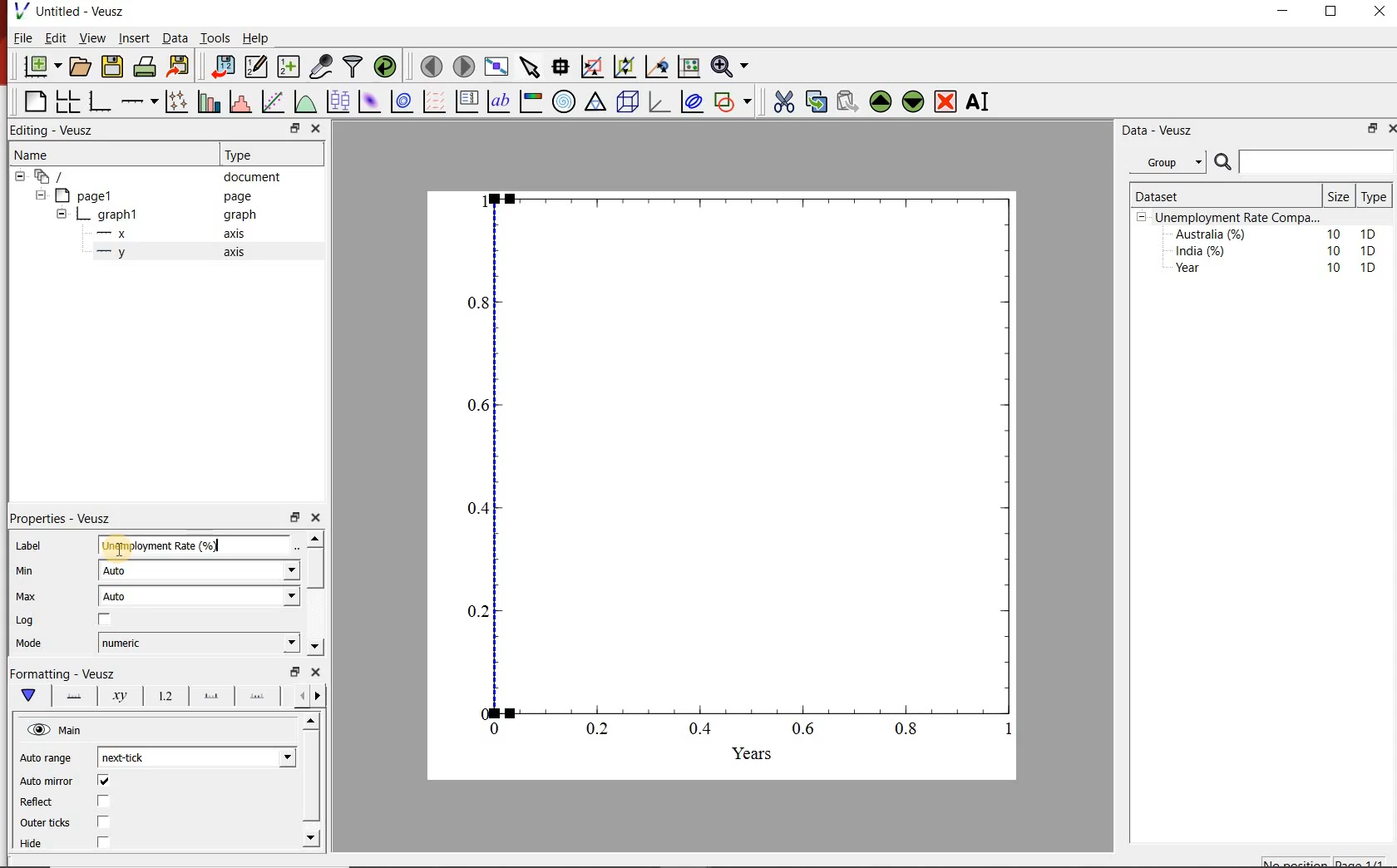 The width and height of the screenshot is (1397, 868). Describe the element at coordinates (32, 696) in the screenshot. I see `main` at that location.